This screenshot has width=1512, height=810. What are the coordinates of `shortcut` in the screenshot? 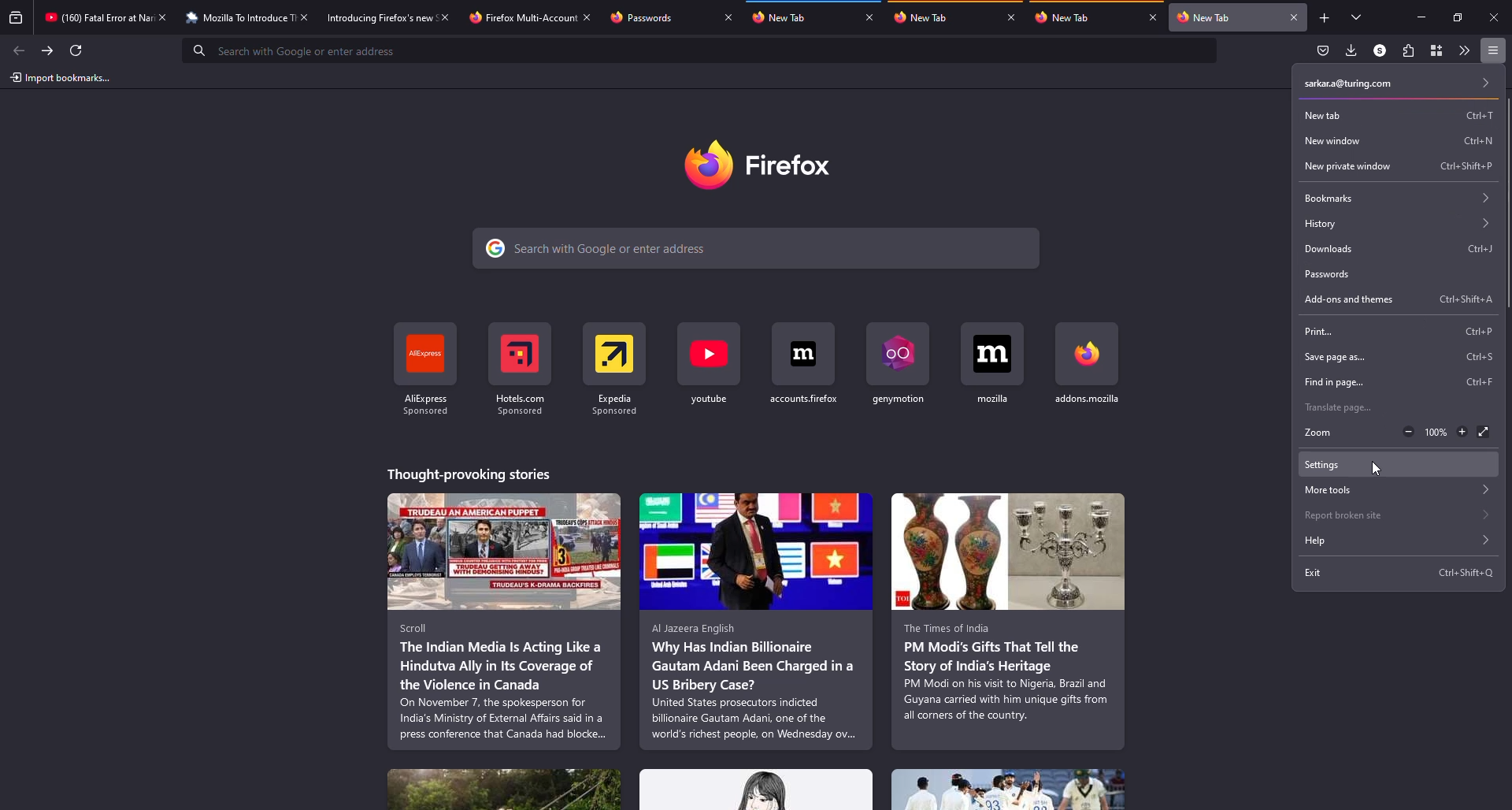 It's located at (993, 363).